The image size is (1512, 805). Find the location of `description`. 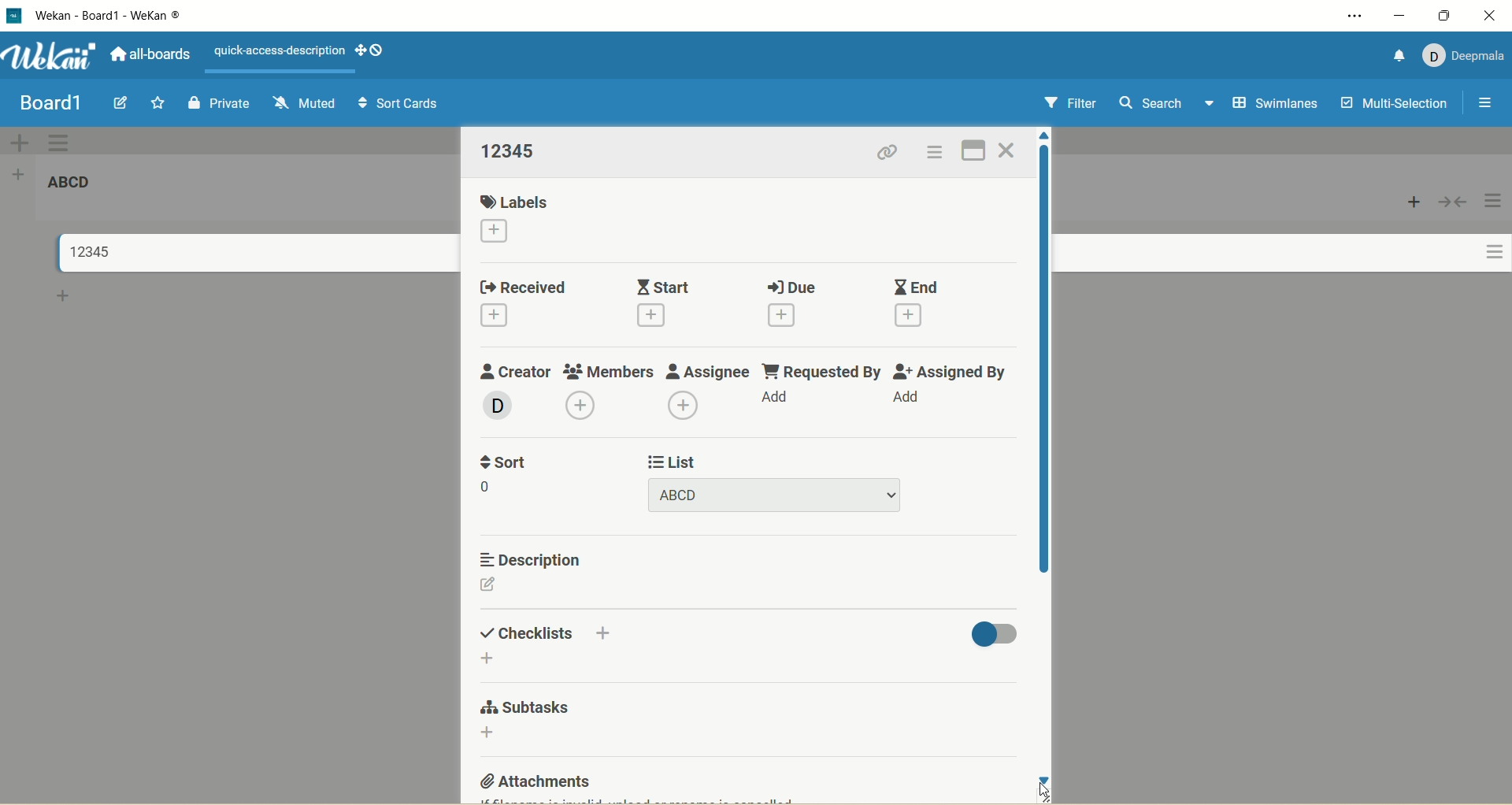

description is located at coordinates (528, 559).